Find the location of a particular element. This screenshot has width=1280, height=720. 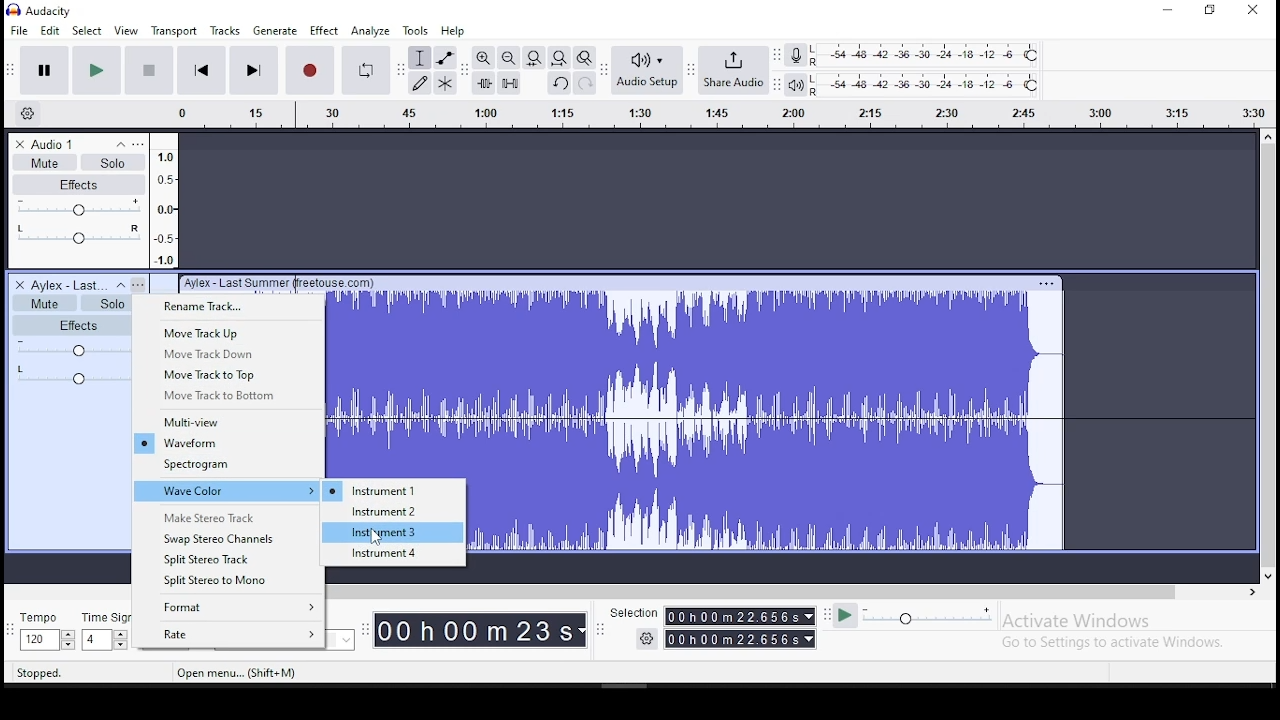

swap stereo channels is located at coordinates (229, 537).